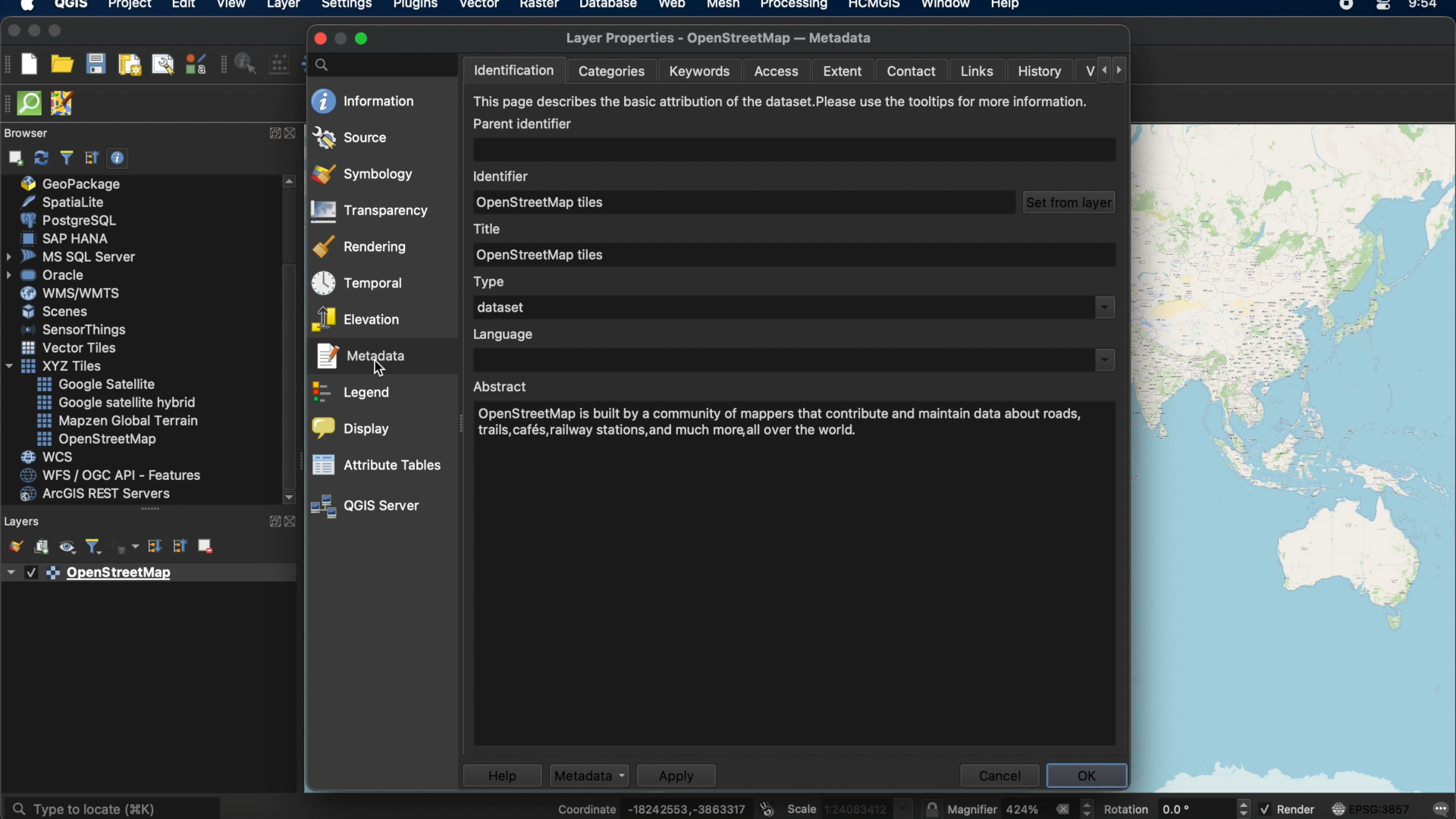  Describe the element at coordinates (69, 346) in the screenshot. I see `vector tiles` at that location.